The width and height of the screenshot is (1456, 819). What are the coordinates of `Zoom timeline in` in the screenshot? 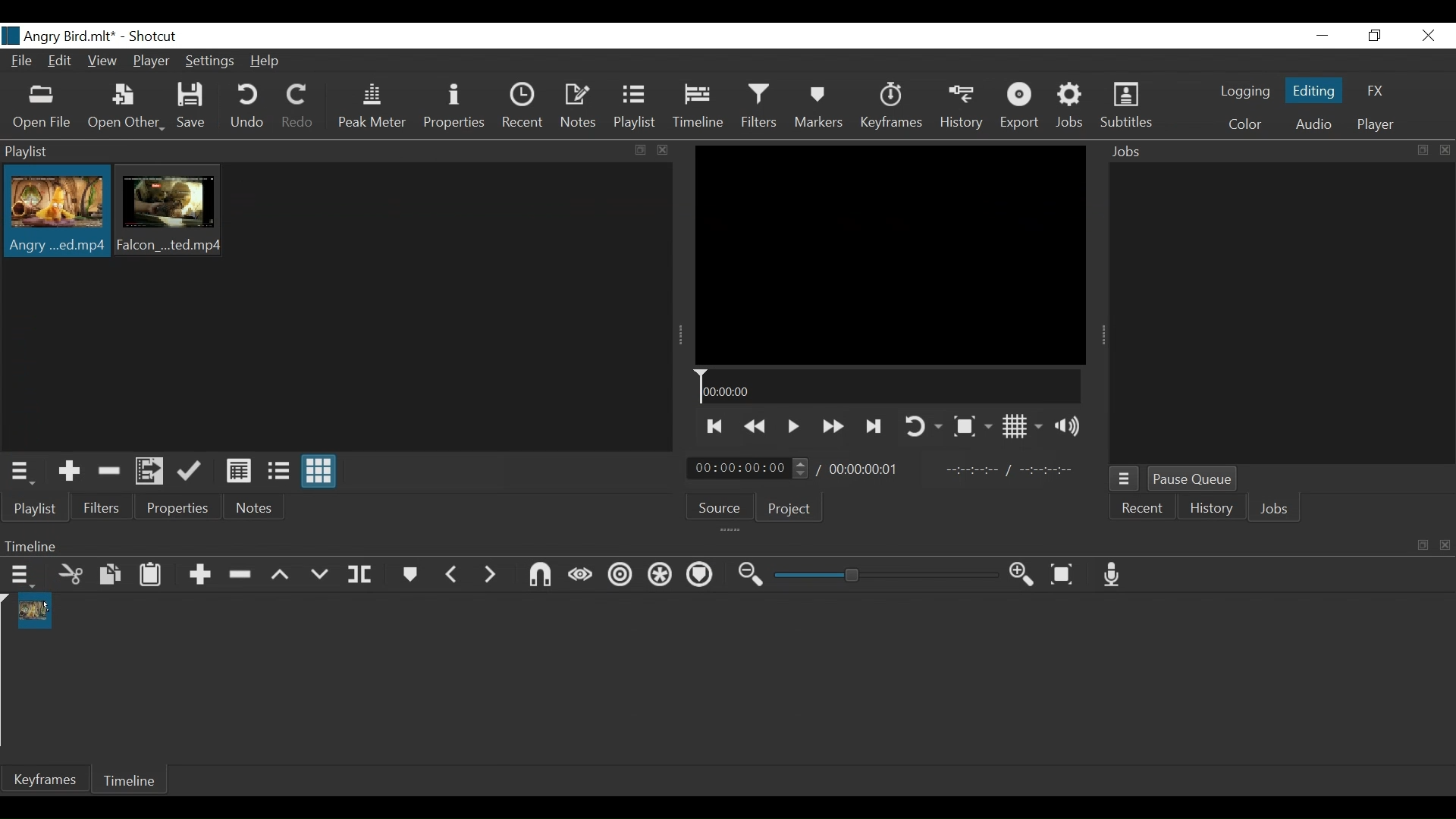 It's located at (1025, 576).